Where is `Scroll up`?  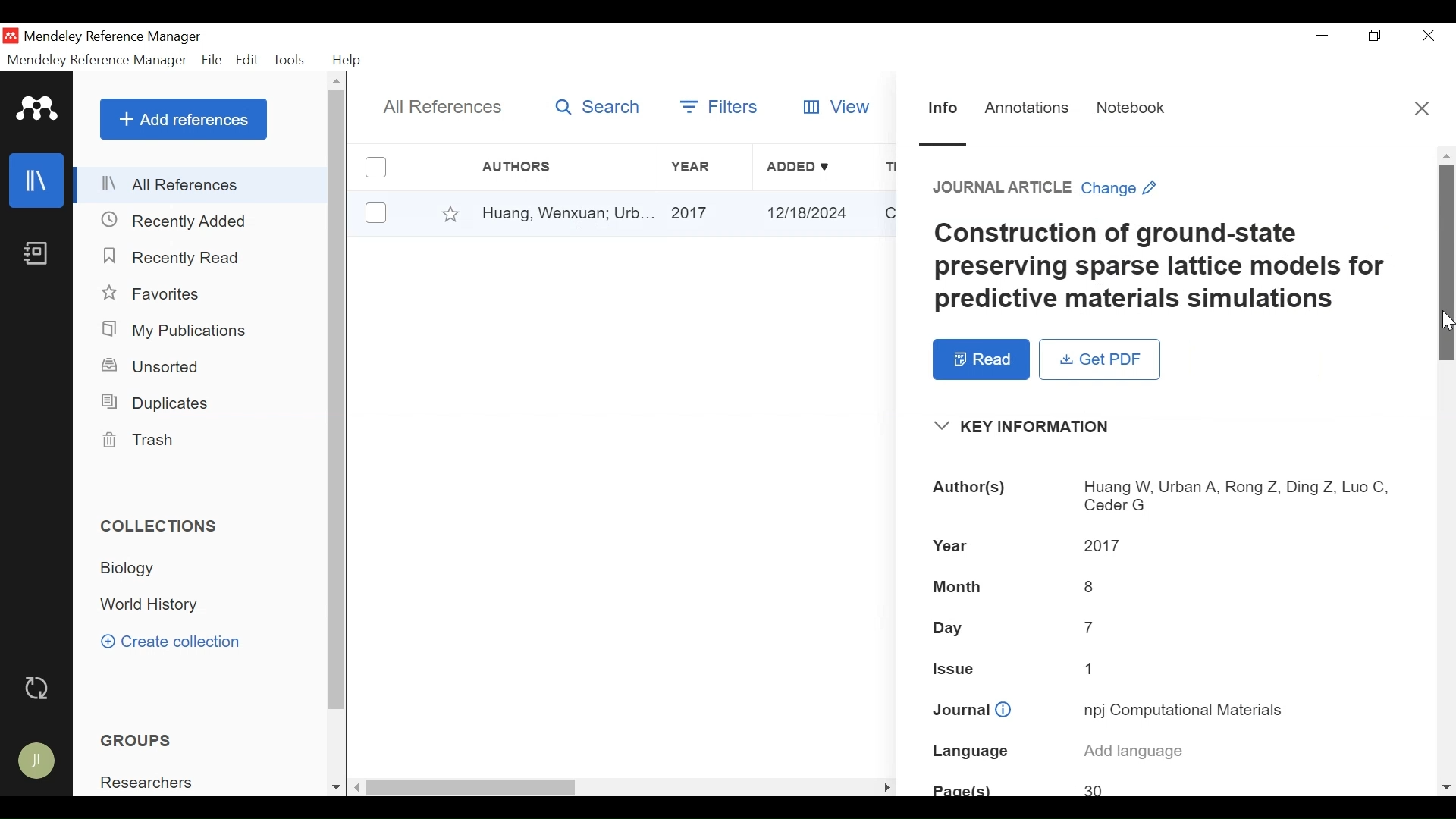
Scroll up is located at coordinates (338, 82).